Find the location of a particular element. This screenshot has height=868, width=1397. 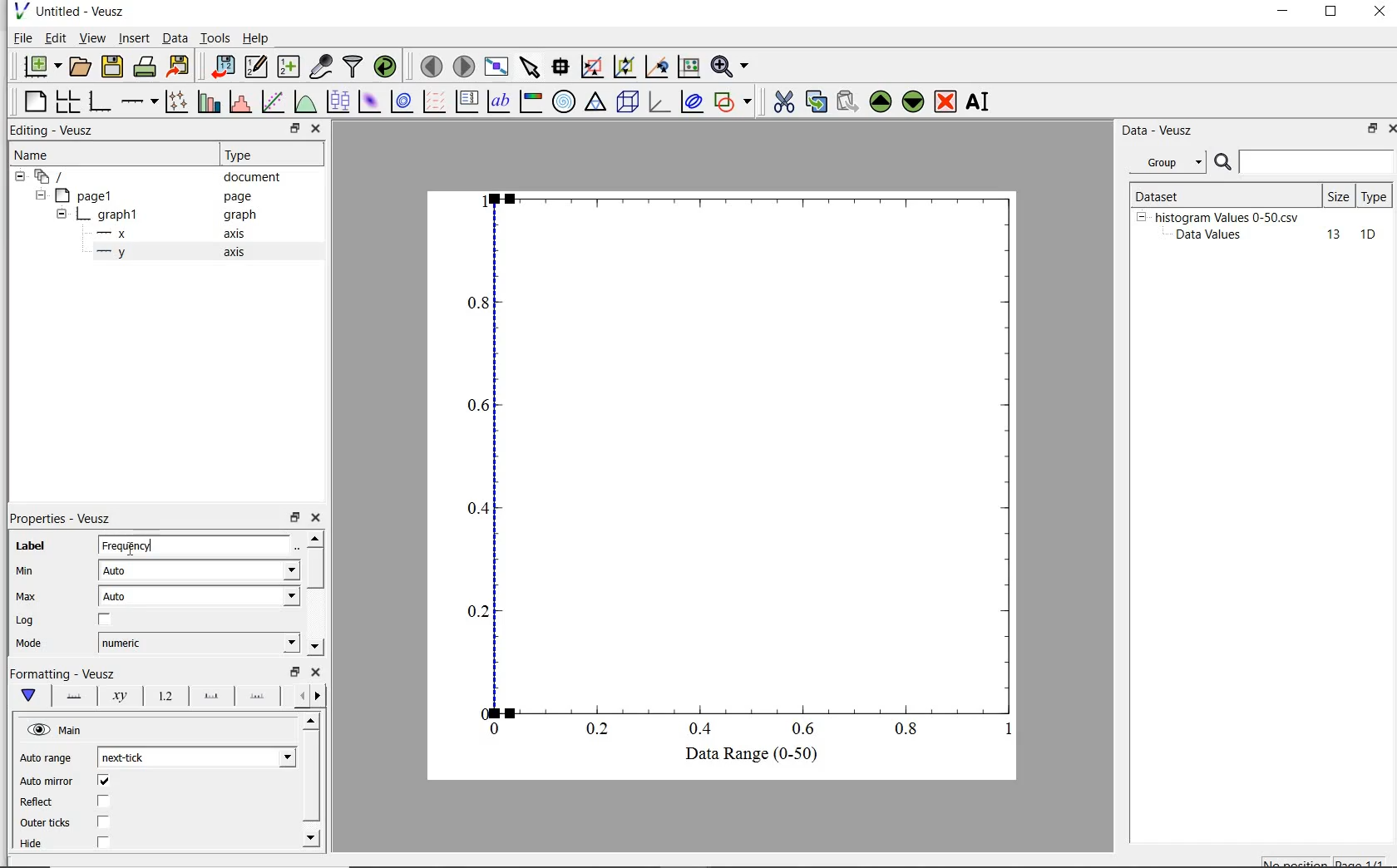

plot 2d dataset as an image is located at coordinates (369, 101).